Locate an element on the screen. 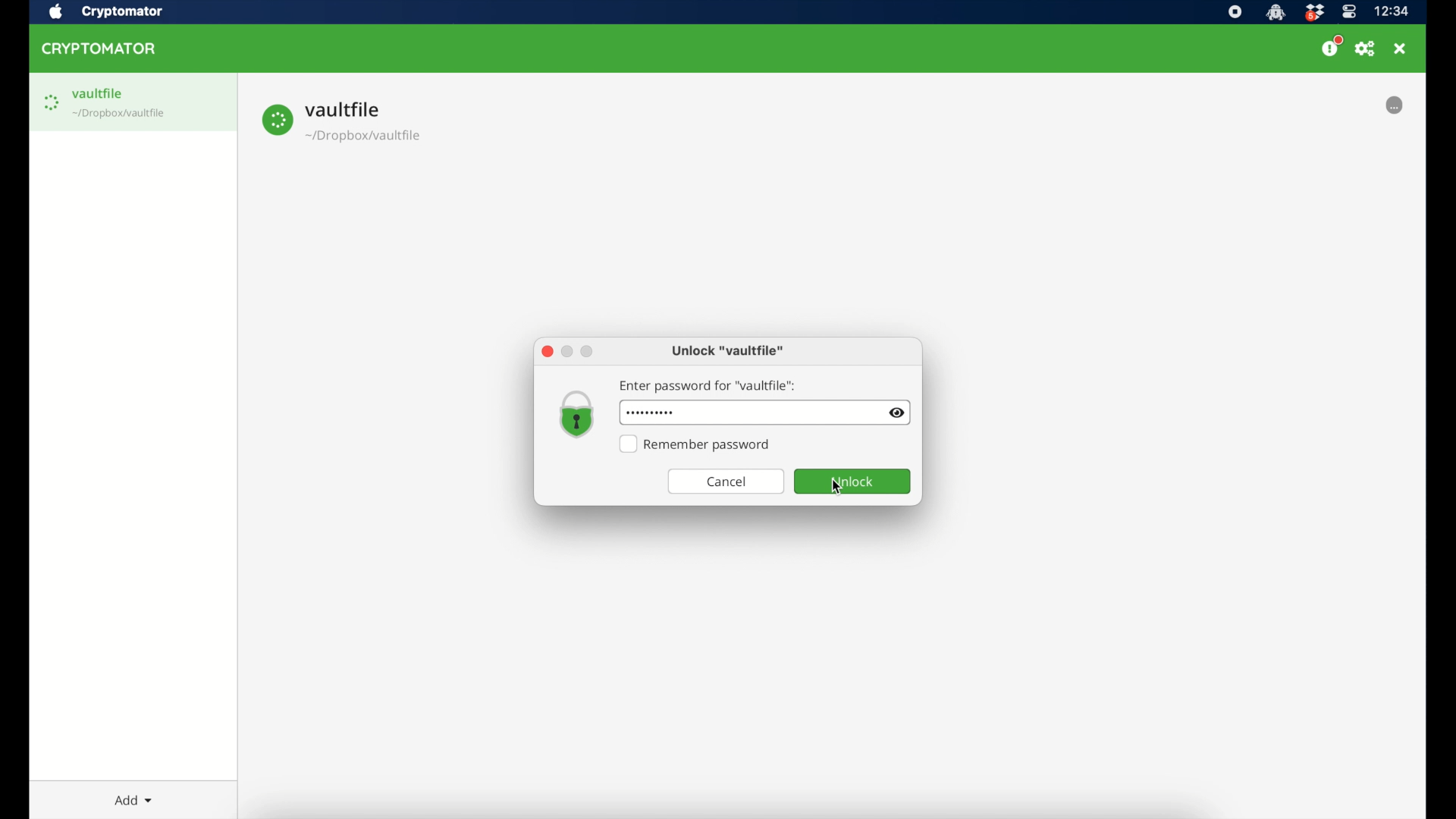 The image size is (1456, 819). apple icon is located at coordinates (55, 11).